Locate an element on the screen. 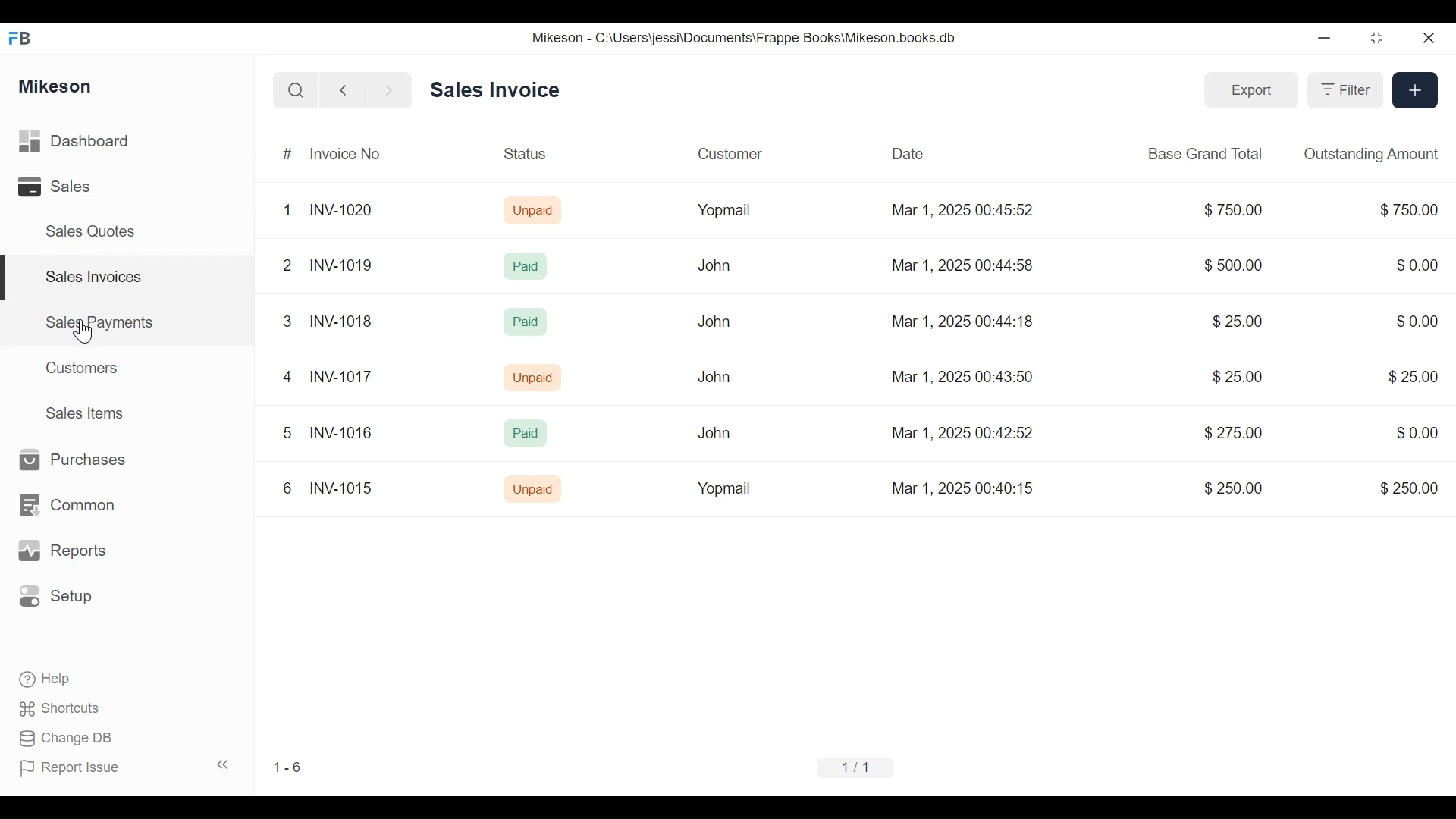 The width and height of the screenshot is (1456, 819). Status is located at coordinates (530, 156).